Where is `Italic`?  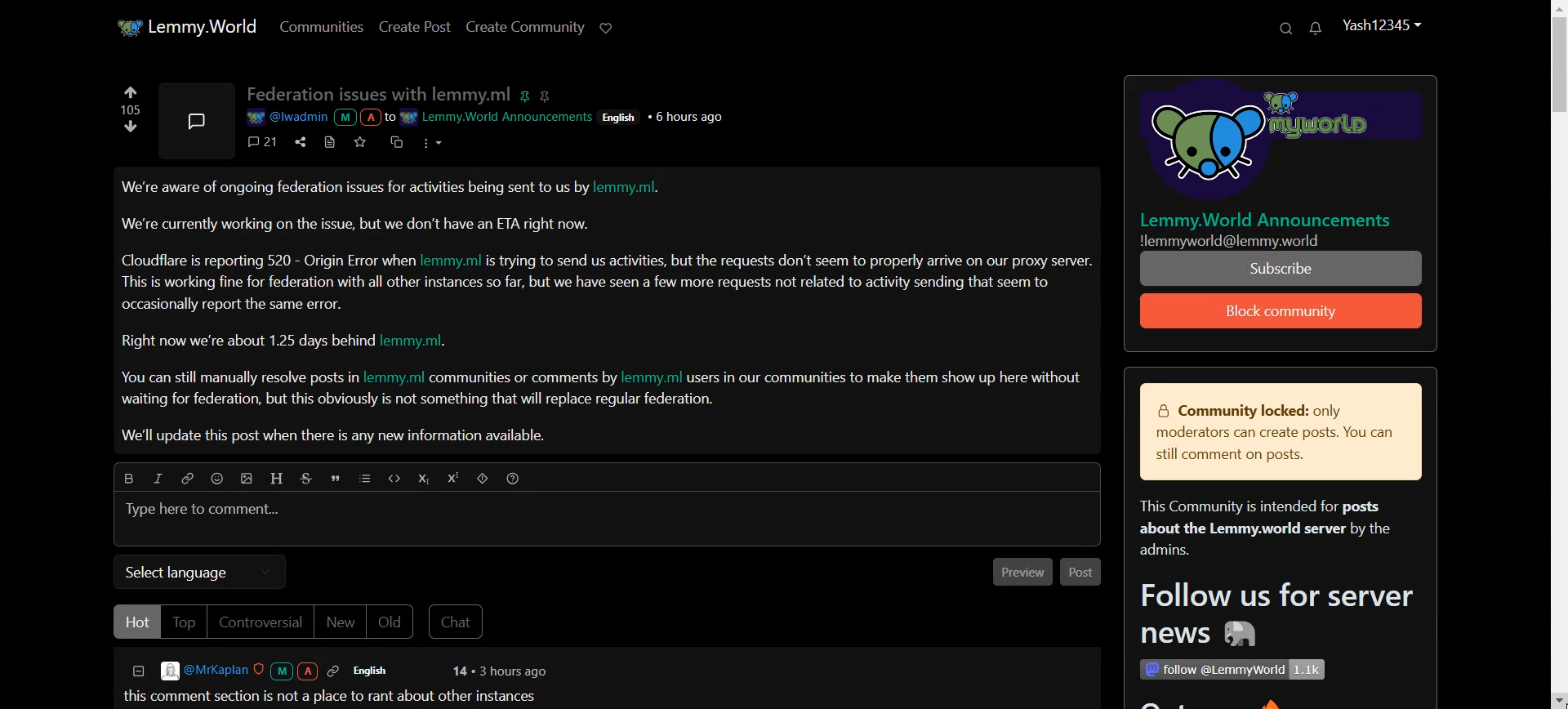
Italic is located at coordinates (158, 478).